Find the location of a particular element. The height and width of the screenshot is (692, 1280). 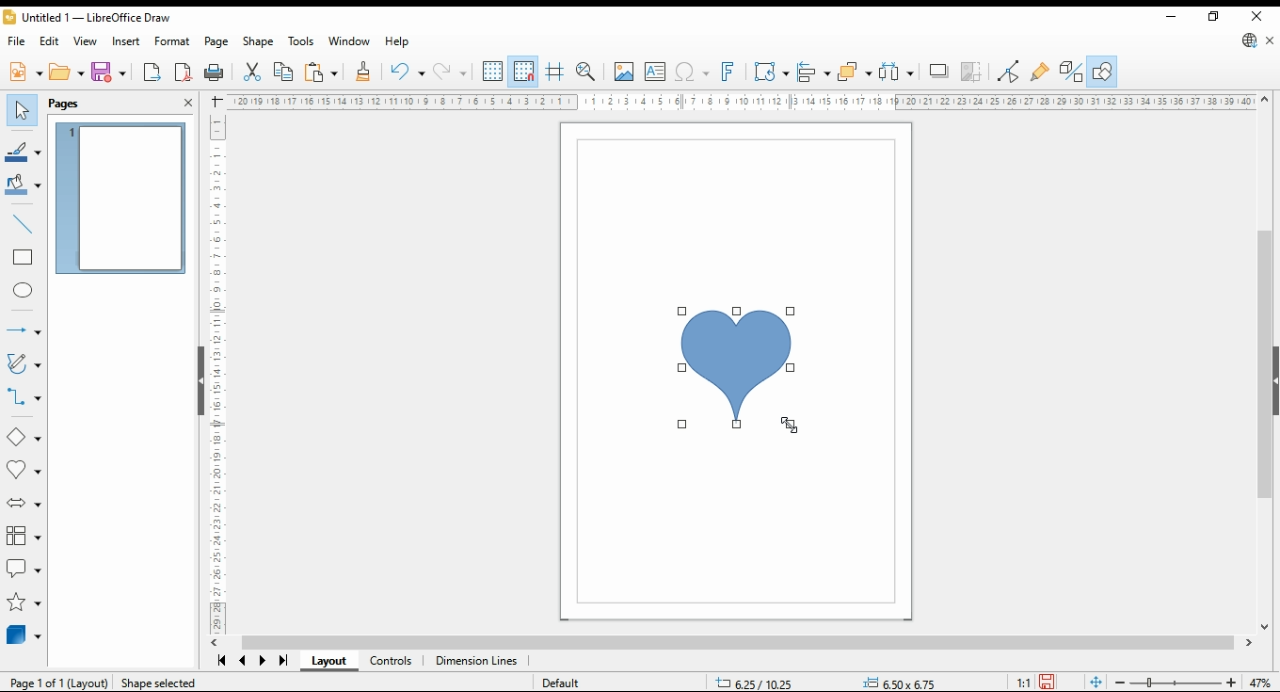

mouse pointer is located at coordinates (792, 426).